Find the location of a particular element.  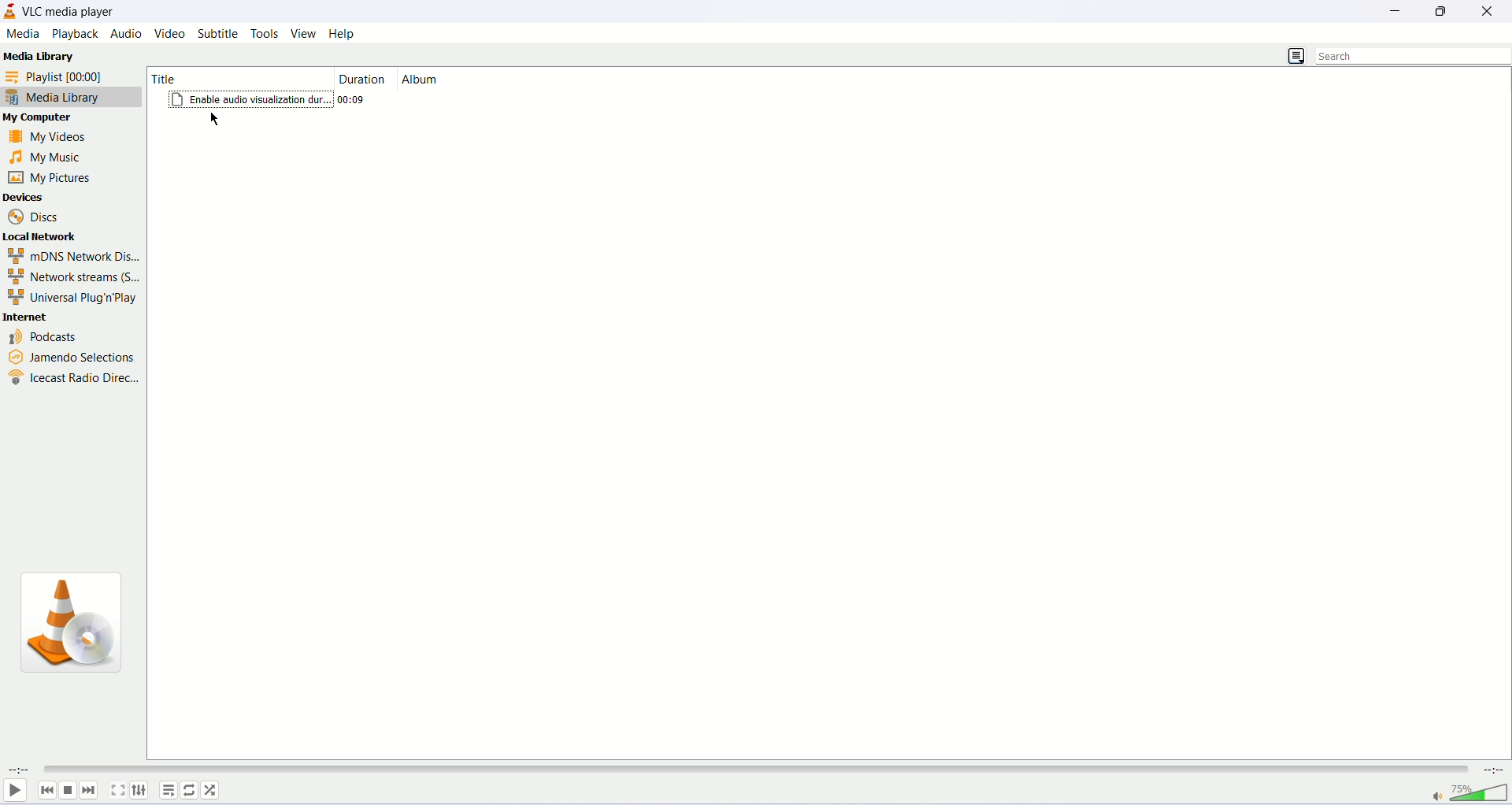

Enable audio visualization dur.. is located at coordinates (250, 98).